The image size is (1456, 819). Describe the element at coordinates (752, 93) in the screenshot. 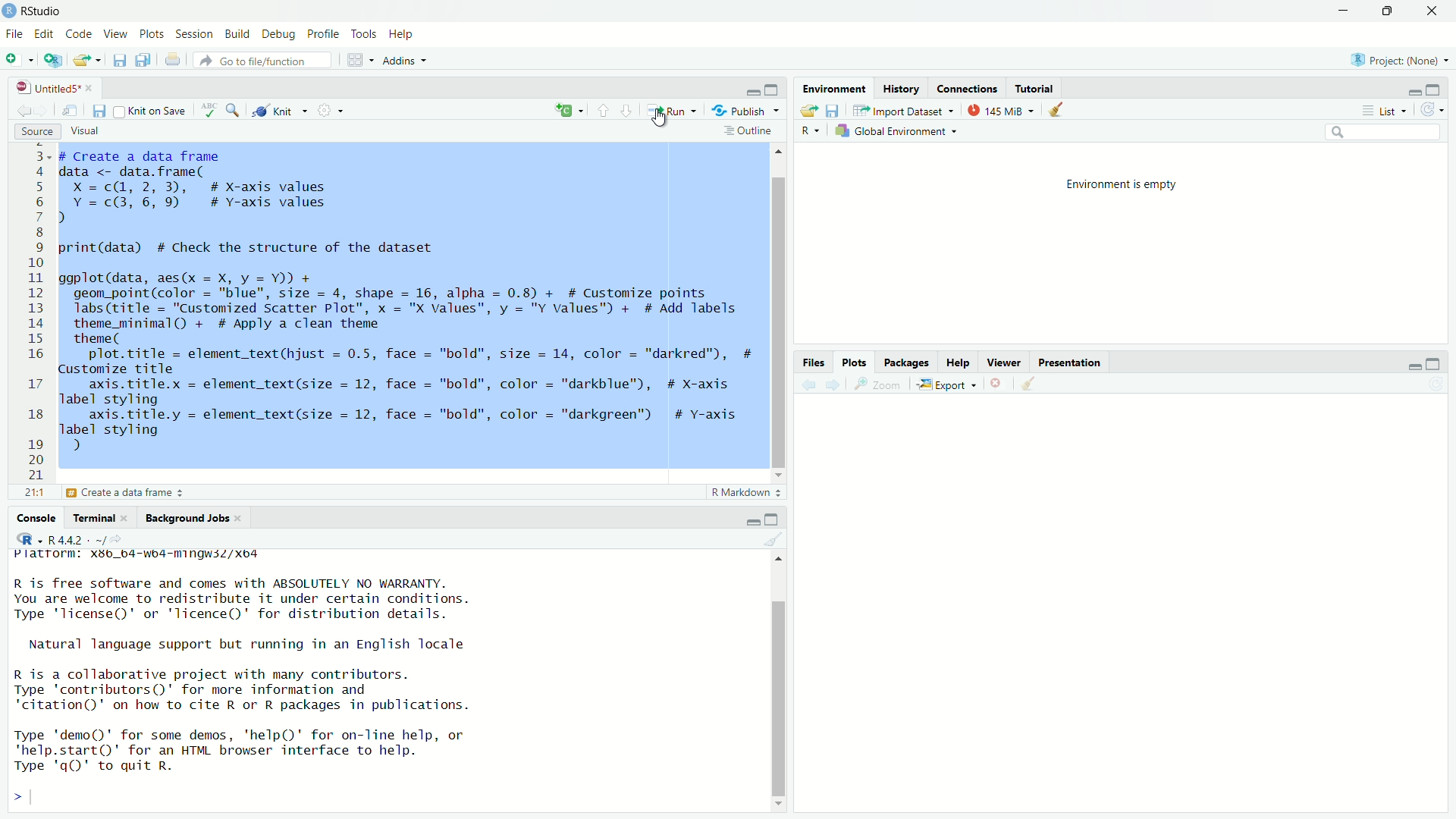

I see `minimize` at that location.